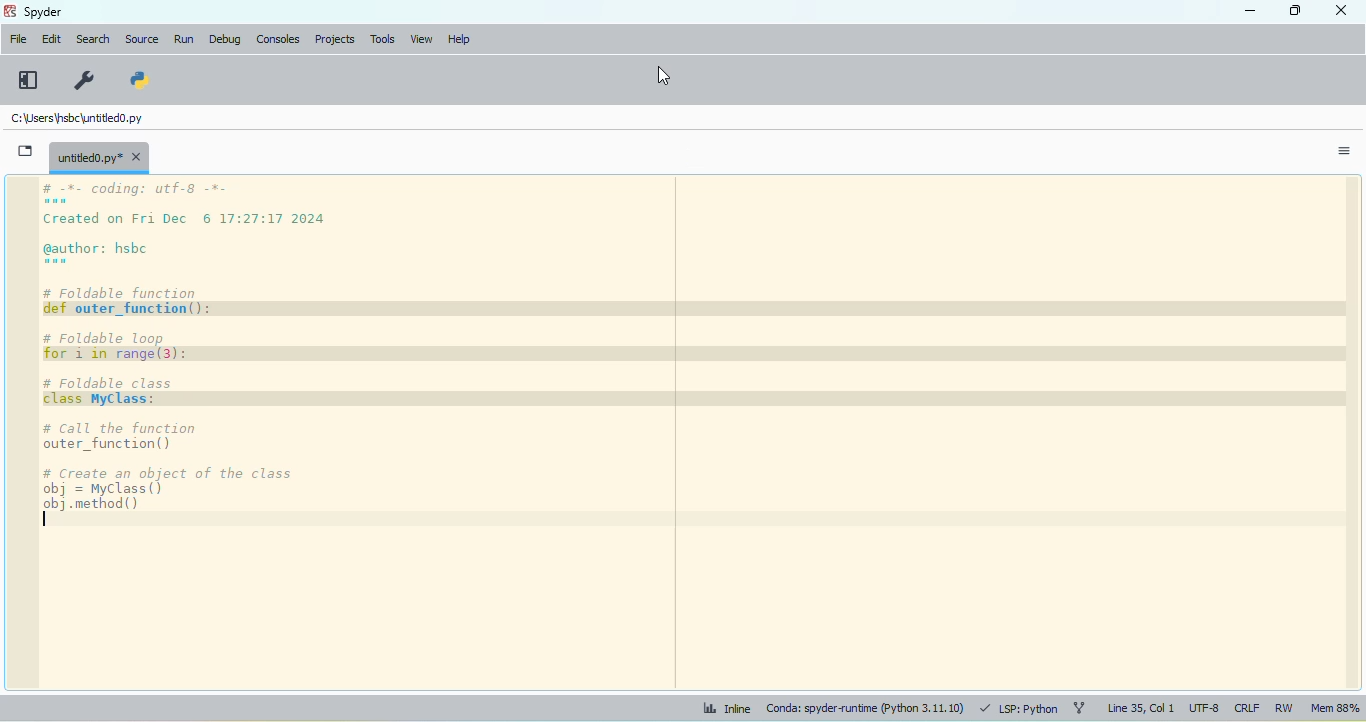  I want to click on run, so click(184, 40).